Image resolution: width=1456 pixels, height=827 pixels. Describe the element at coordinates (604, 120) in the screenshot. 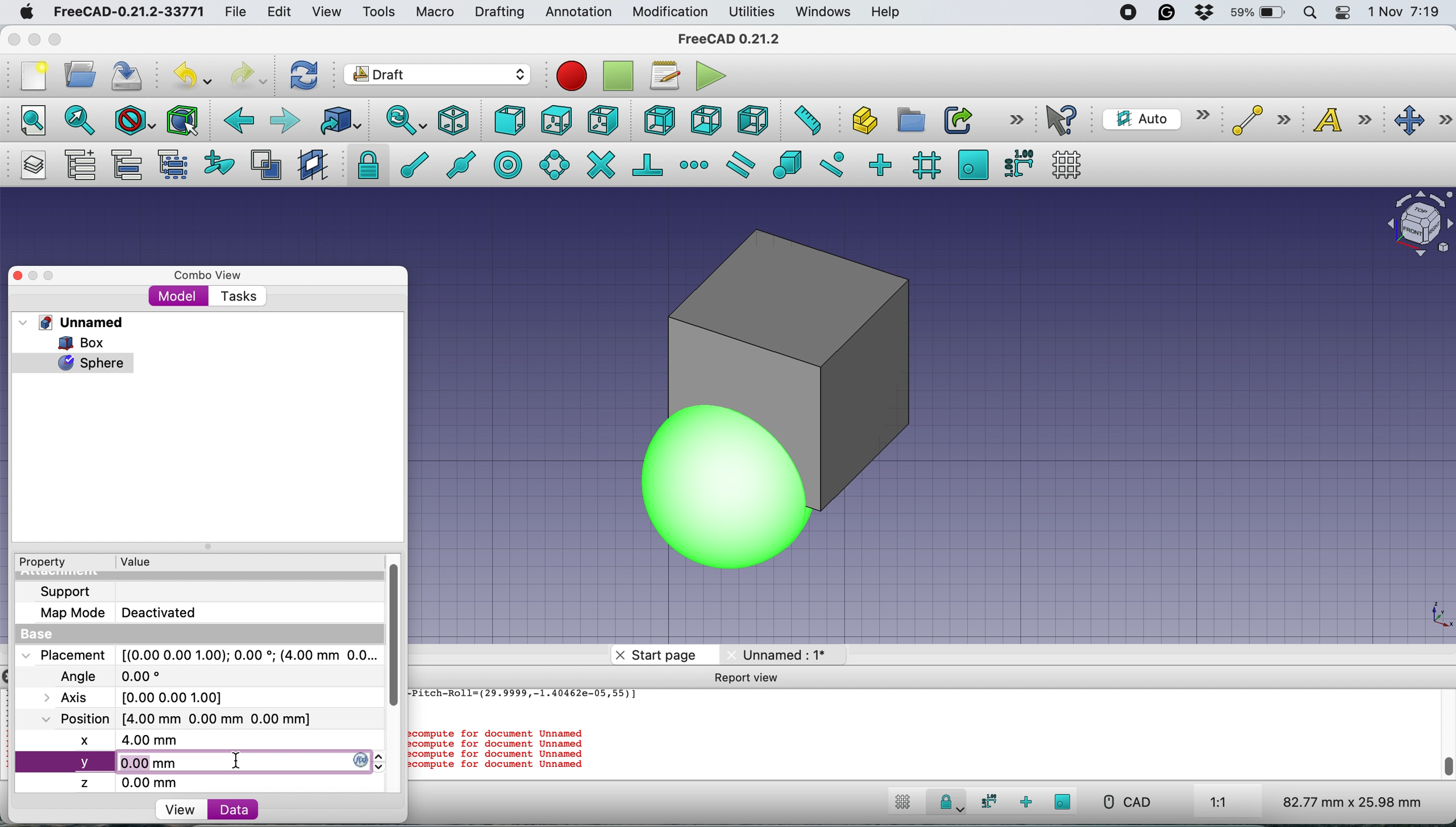

I see `right` at that location.